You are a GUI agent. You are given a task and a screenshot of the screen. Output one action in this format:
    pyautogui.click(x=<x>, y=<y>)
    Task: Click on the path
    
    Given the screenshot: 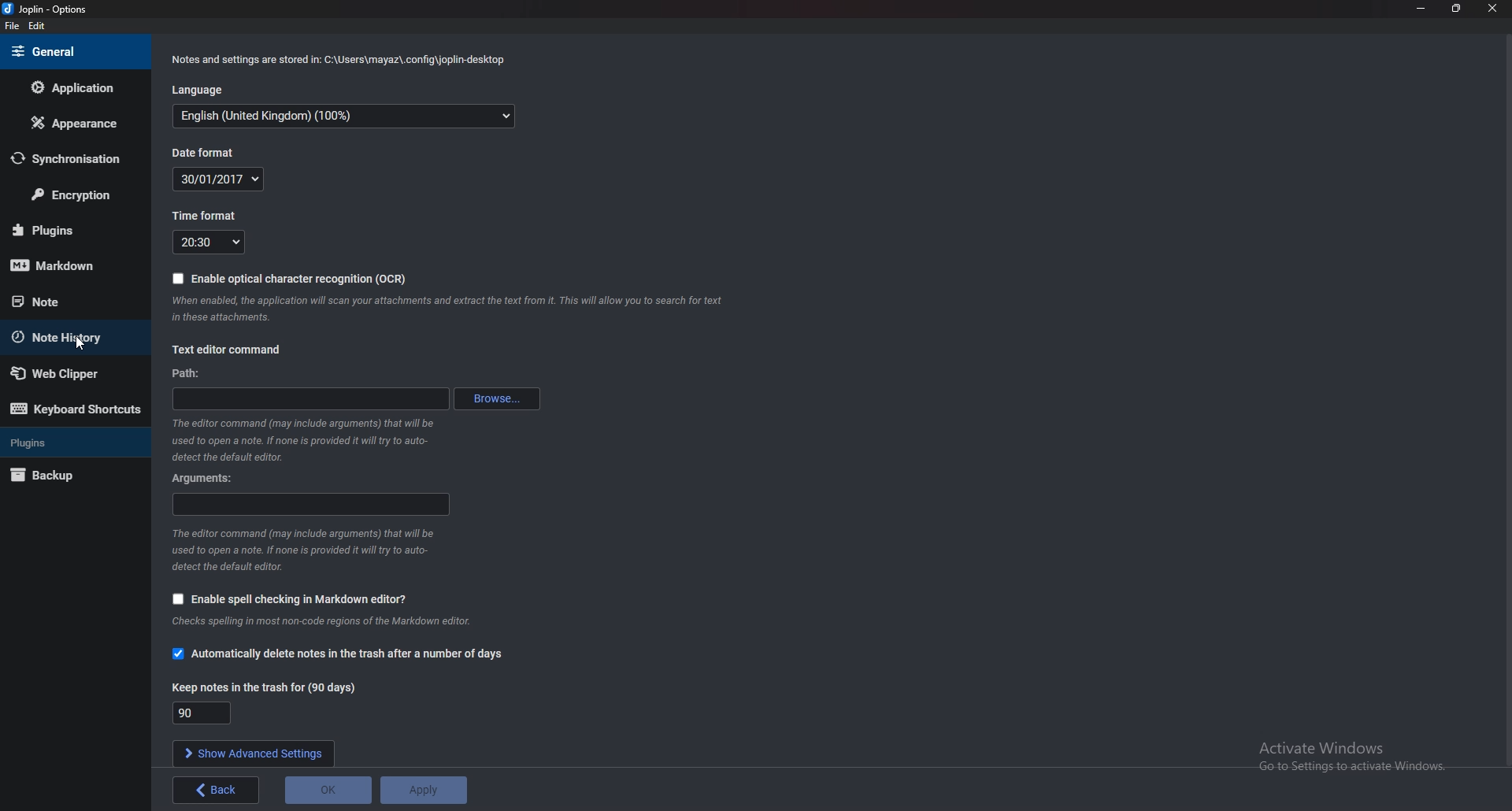 What is the action you would take?
    pyautogui.click(x=188, y=375)
    